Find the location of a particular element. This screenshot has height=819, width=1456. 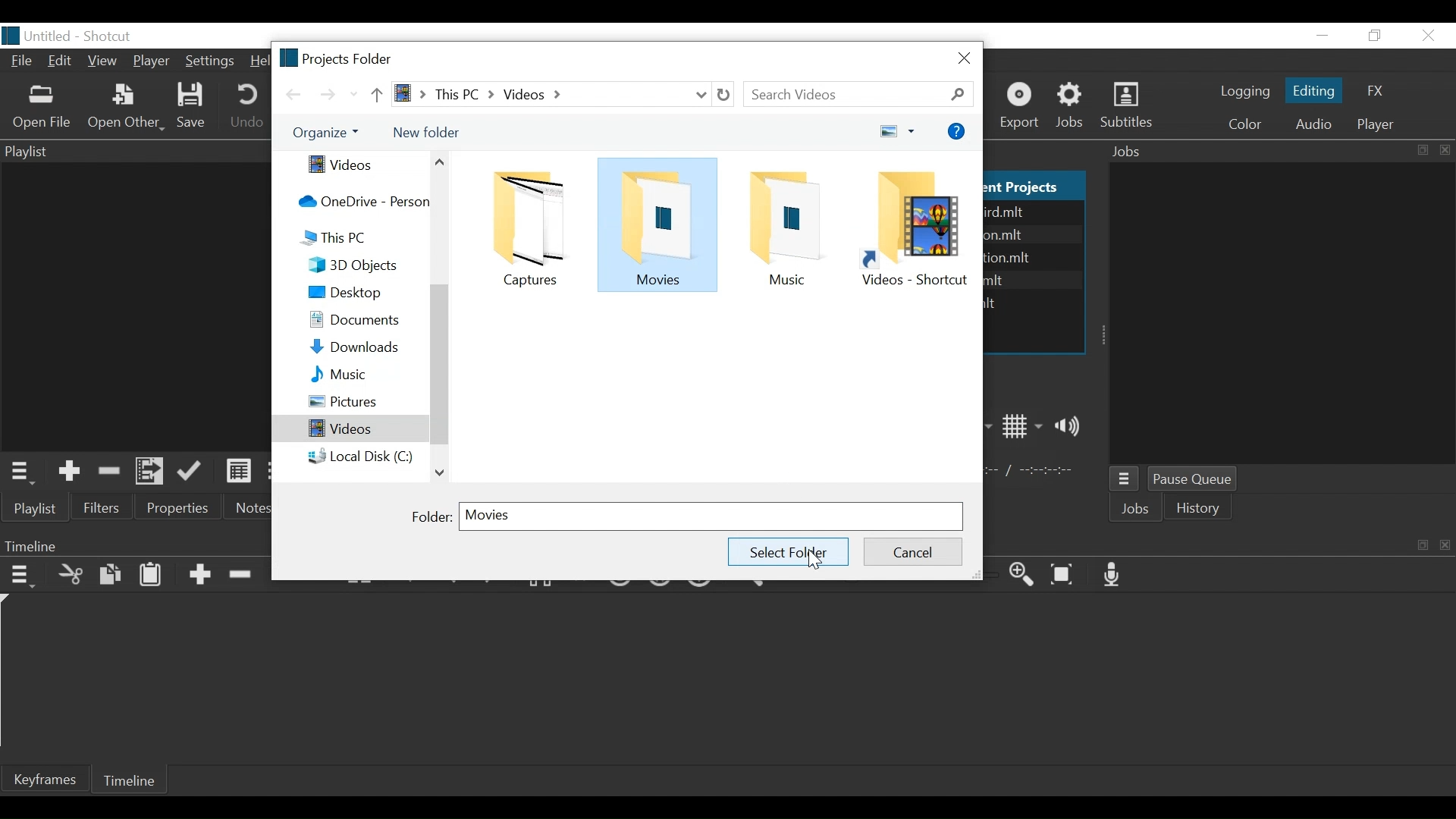

Jobs Menu is located at coordinates (1126, 481).